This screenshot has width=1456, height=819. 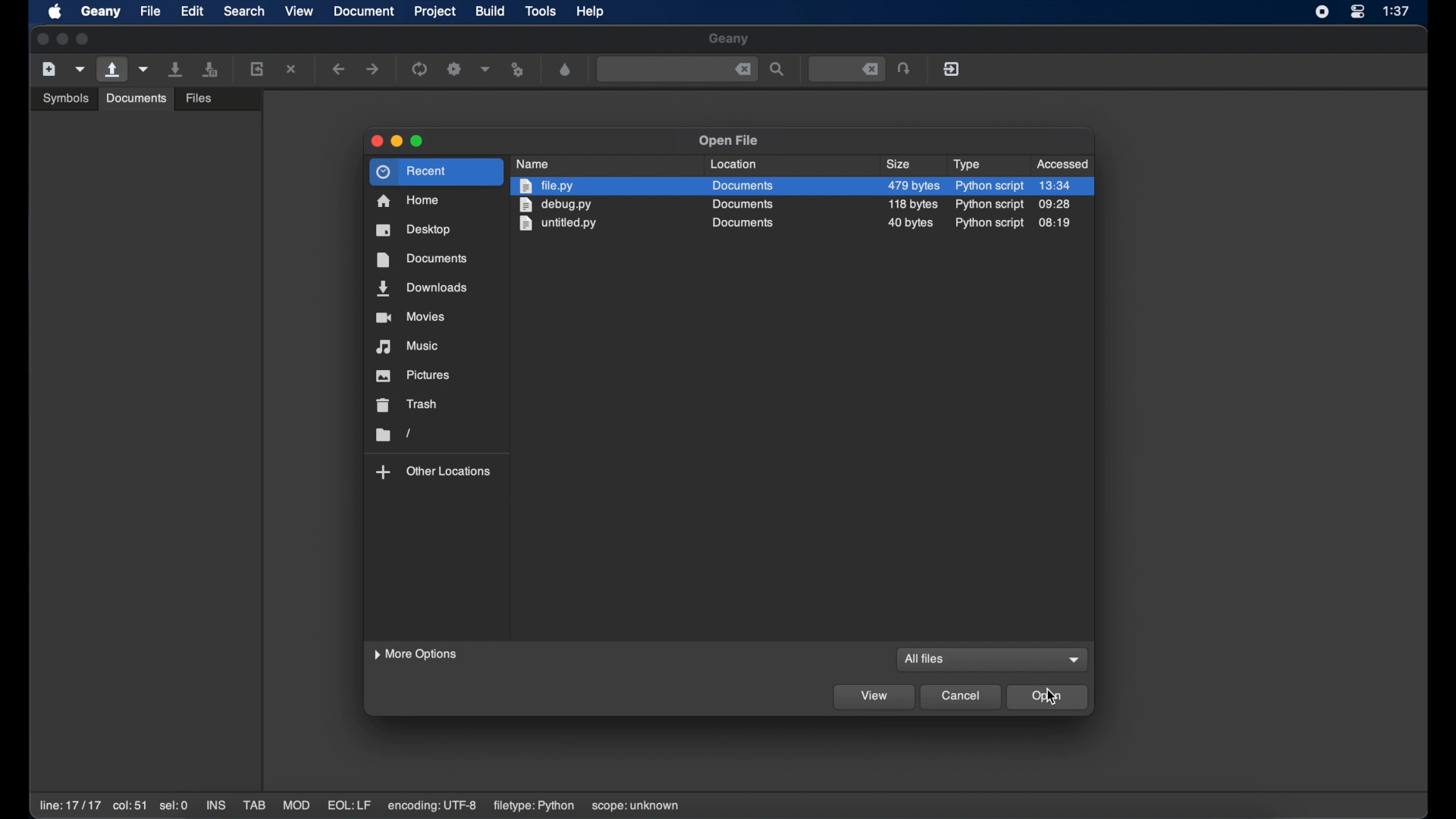 What do you see at coordinates (69, 805) in the screenshot?
I see `line 17/17` at bounding box center [69, 805].